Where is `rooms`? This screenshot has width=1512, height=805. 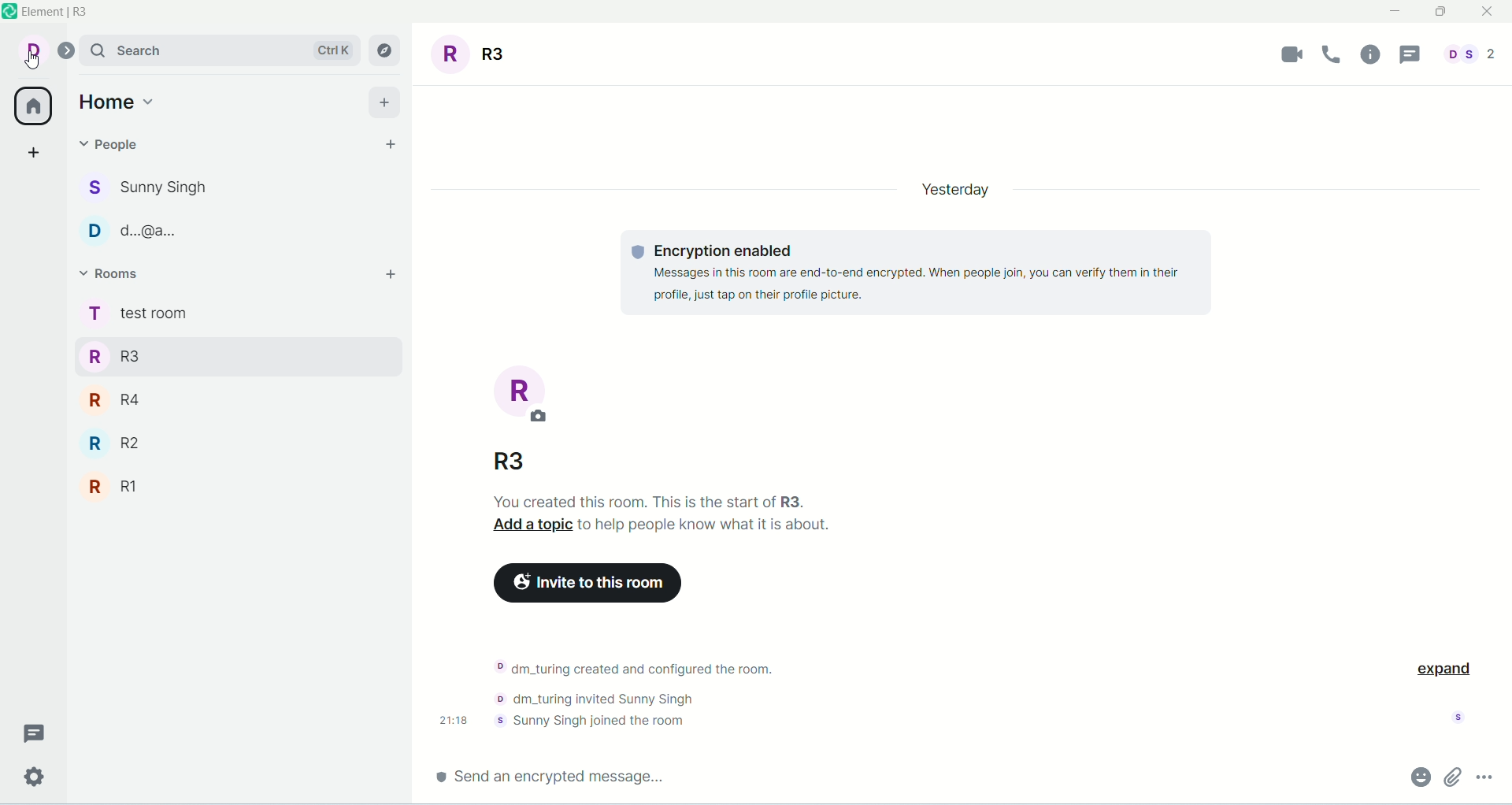
rooms is located at coordinates (112, 273).